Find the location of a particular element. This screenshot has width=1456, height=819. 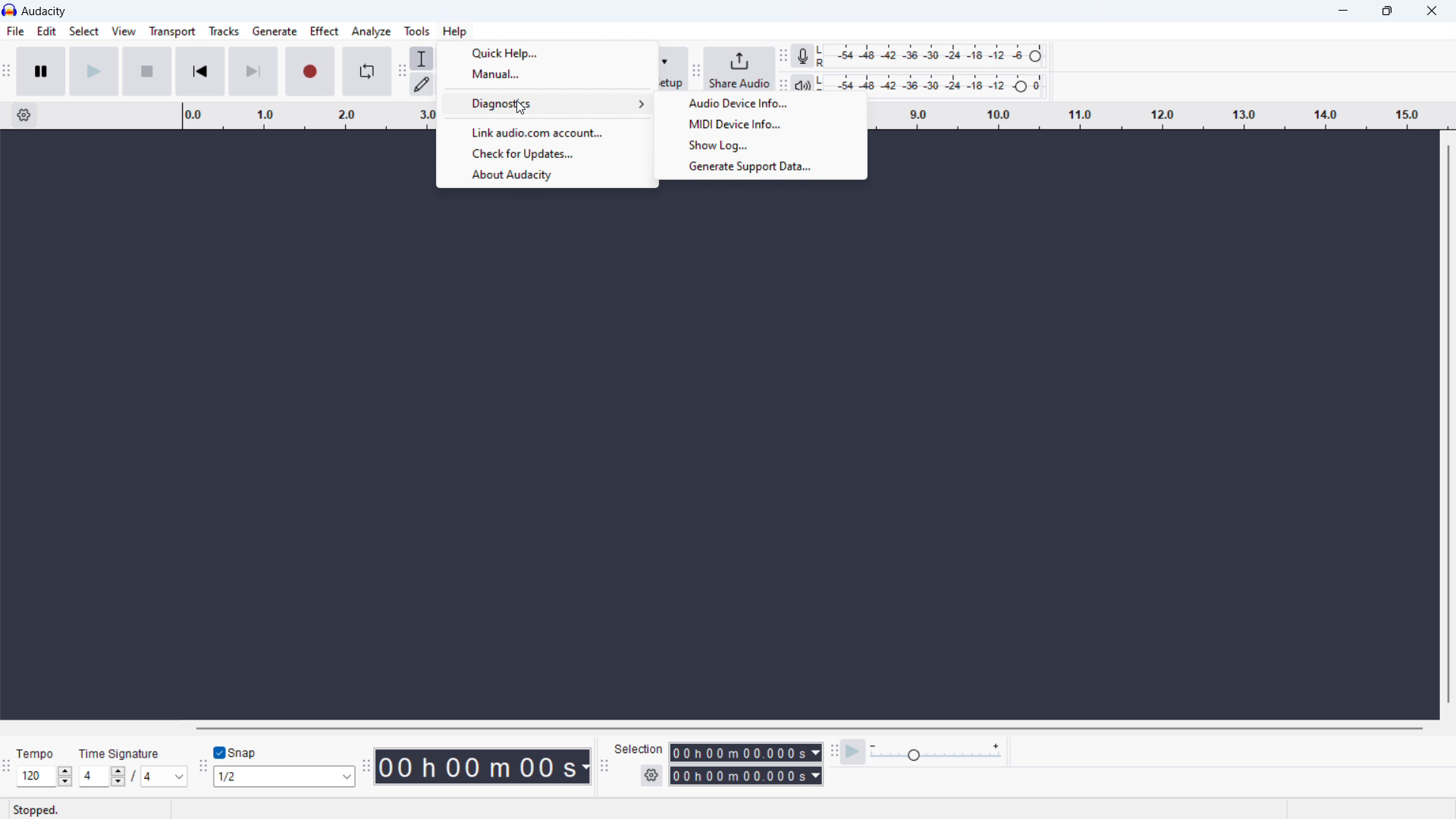

toggle snap is located at coordinates (235, 751).